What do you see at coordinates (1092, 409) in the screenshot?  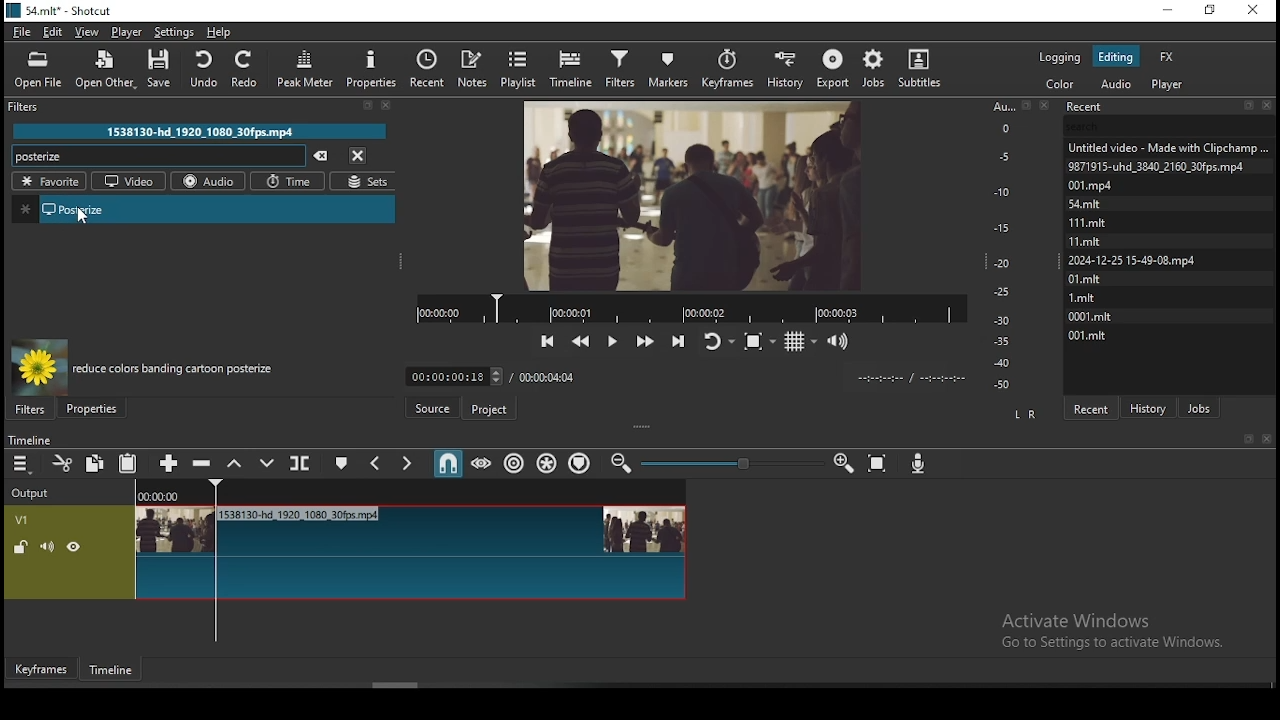 I see `recent` at bounding box center [1092, 409].